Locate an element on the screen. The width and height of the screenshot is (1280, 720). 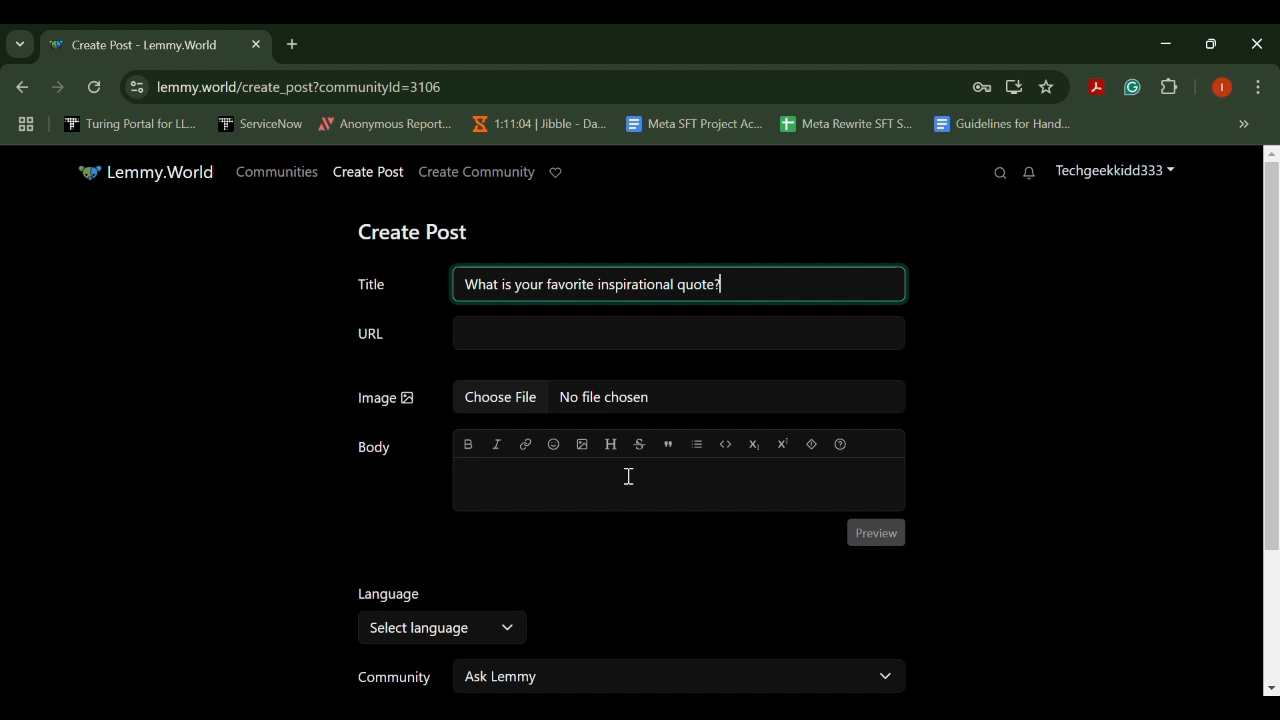
Title: What is your favorite inspirational quote? is located at coordinates (626, 284).